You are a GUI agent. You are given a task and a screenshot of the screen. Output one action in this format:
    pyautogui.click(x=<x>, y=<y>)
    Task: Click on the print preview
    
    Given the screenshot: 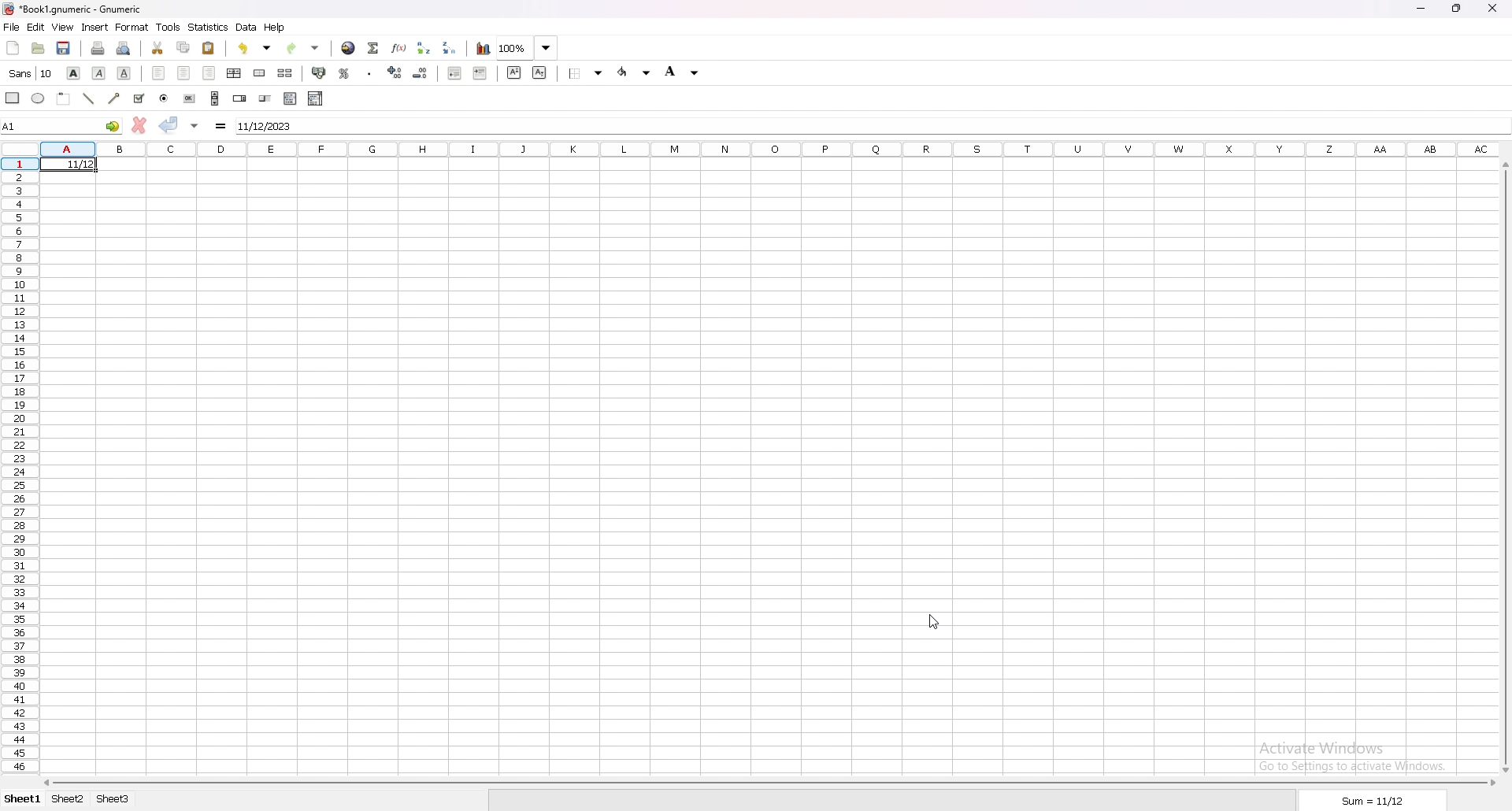 What is the action you would take?
    pyautogui.click(x=124, y=49)
    